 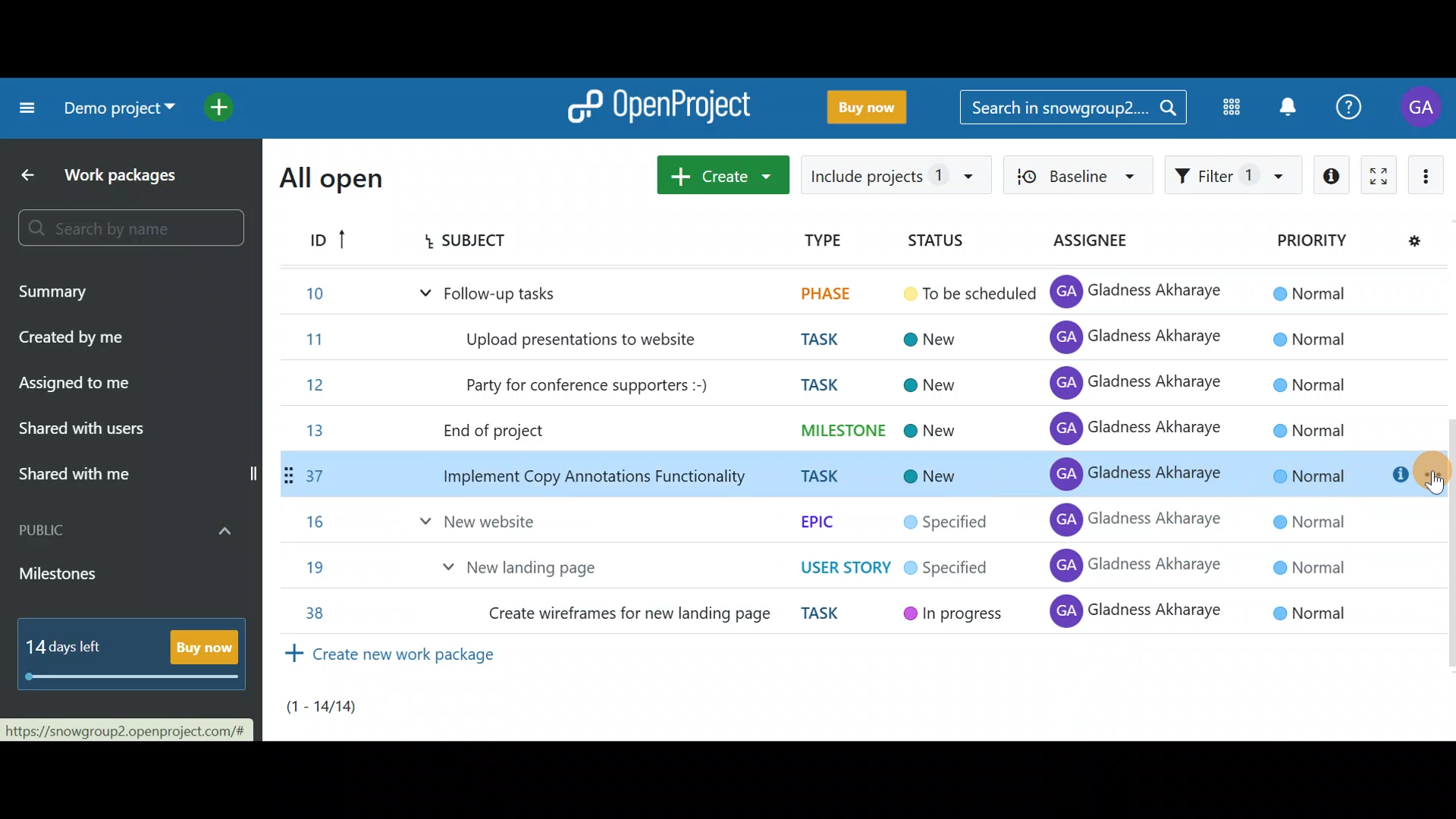 I want to click on Specified, so click(x=946, y=524).